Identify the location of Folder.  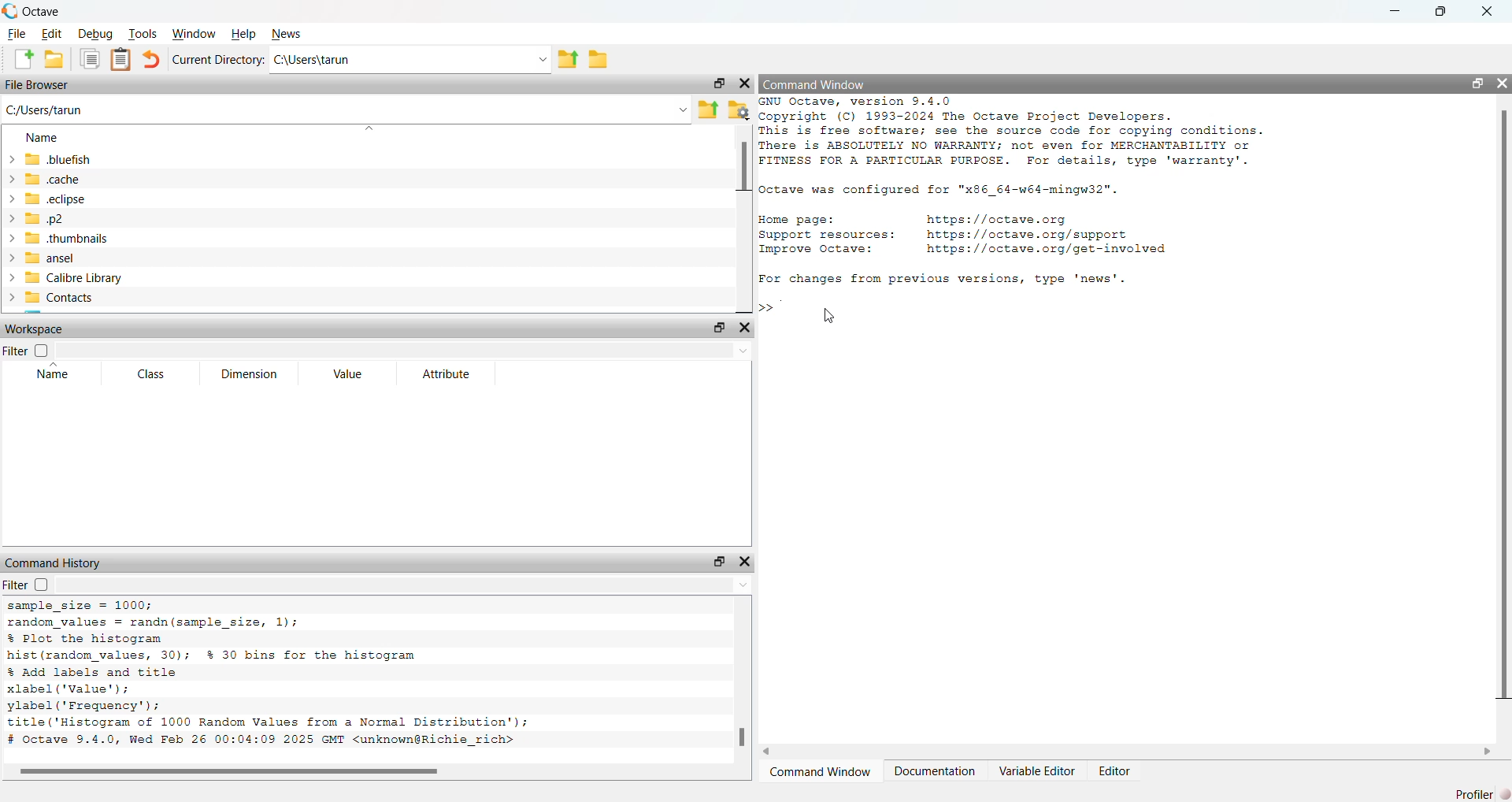
(599, 60).